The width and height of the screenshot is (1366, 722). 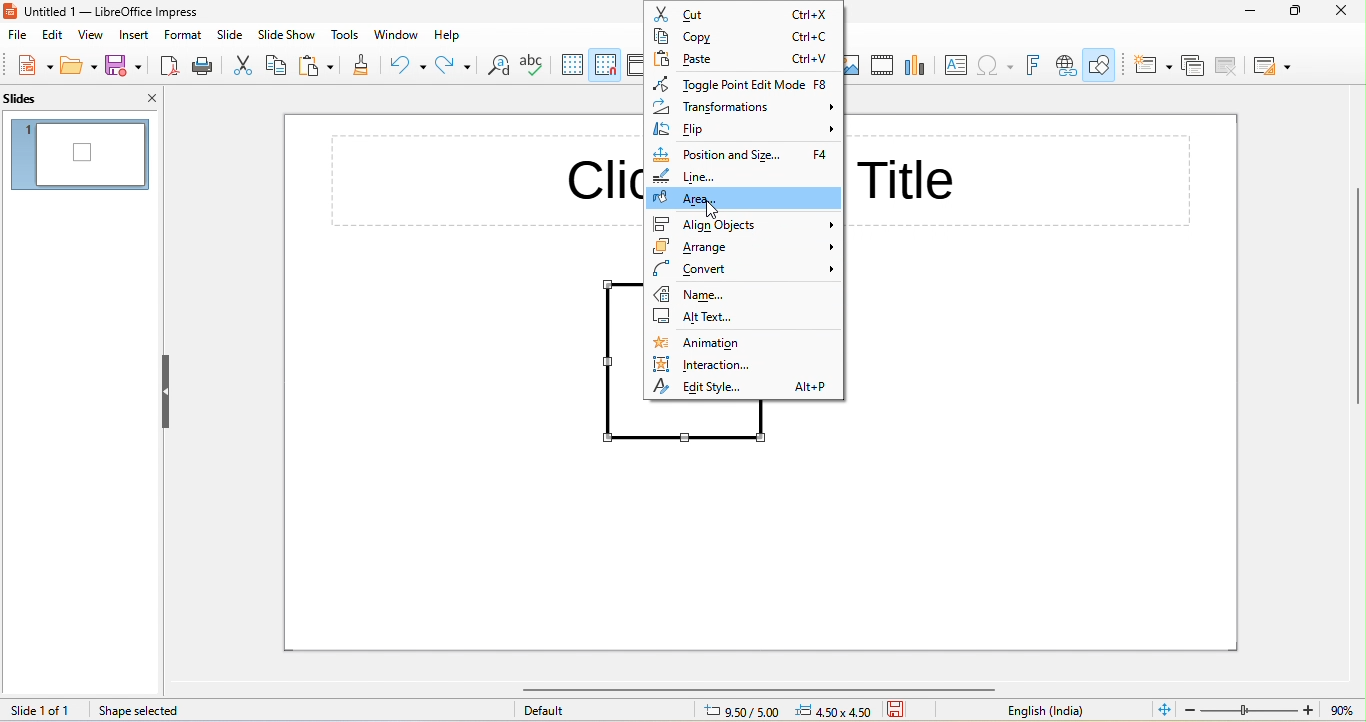 I want to click on vertical scroll, so click(x=1346, y=312).